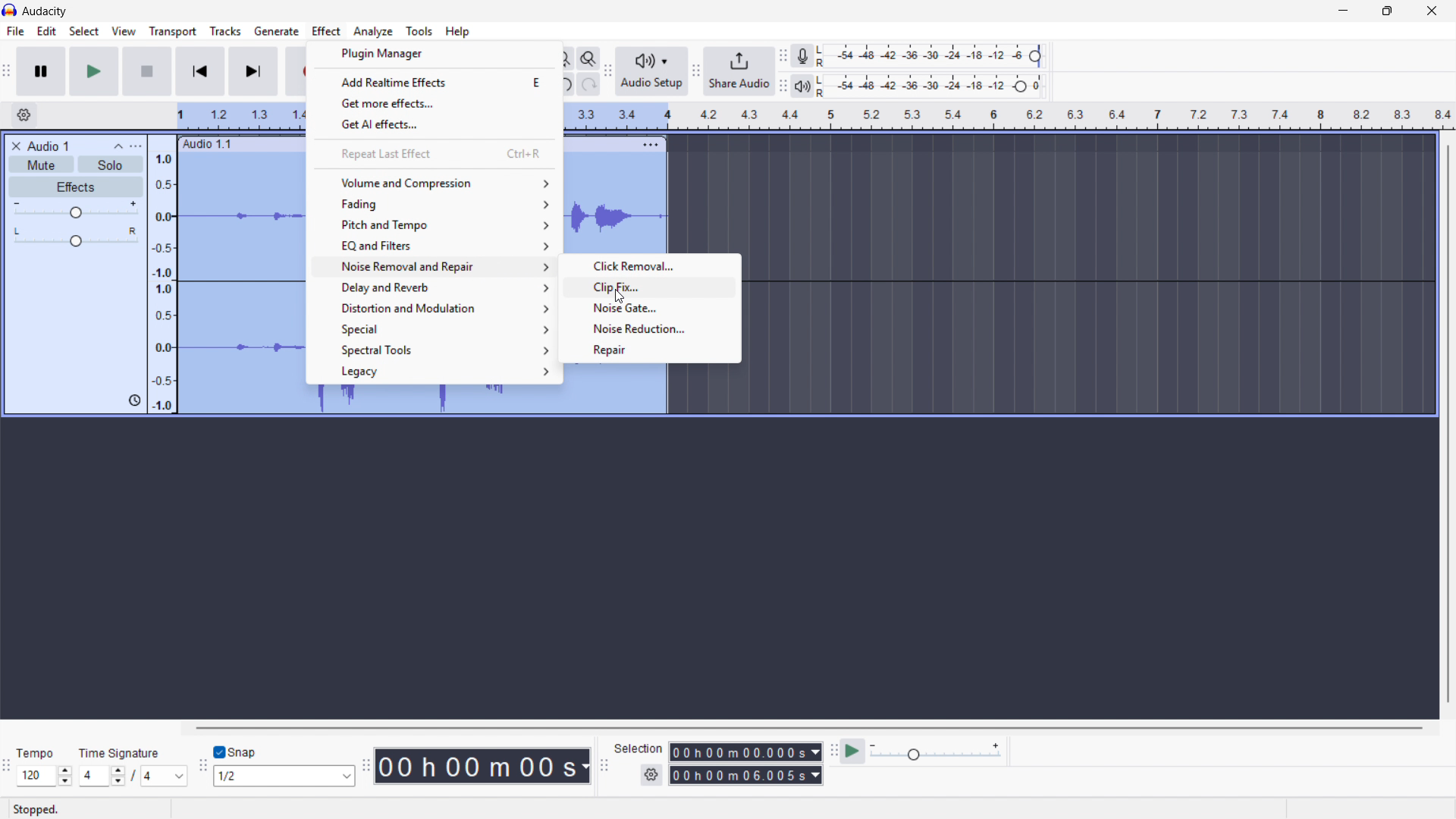 Image resolution: width=1456 pixels, height=819 pixels. Describe the element at coordinates (432, 330) in the screenshot. I see `Special ` at that location.